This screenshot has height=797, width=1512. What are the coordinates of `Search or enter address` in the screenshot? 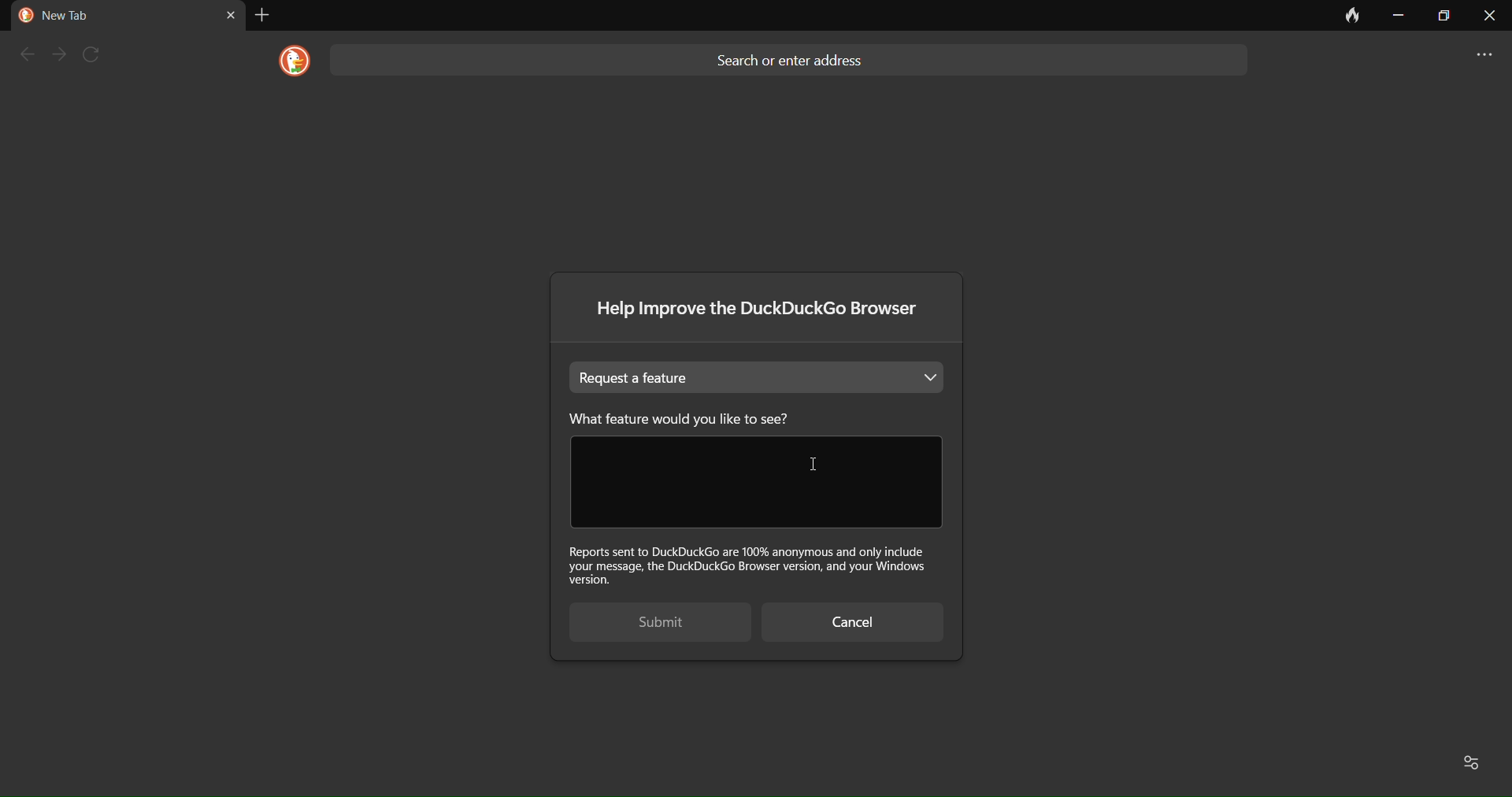 It's located at (795, 57).